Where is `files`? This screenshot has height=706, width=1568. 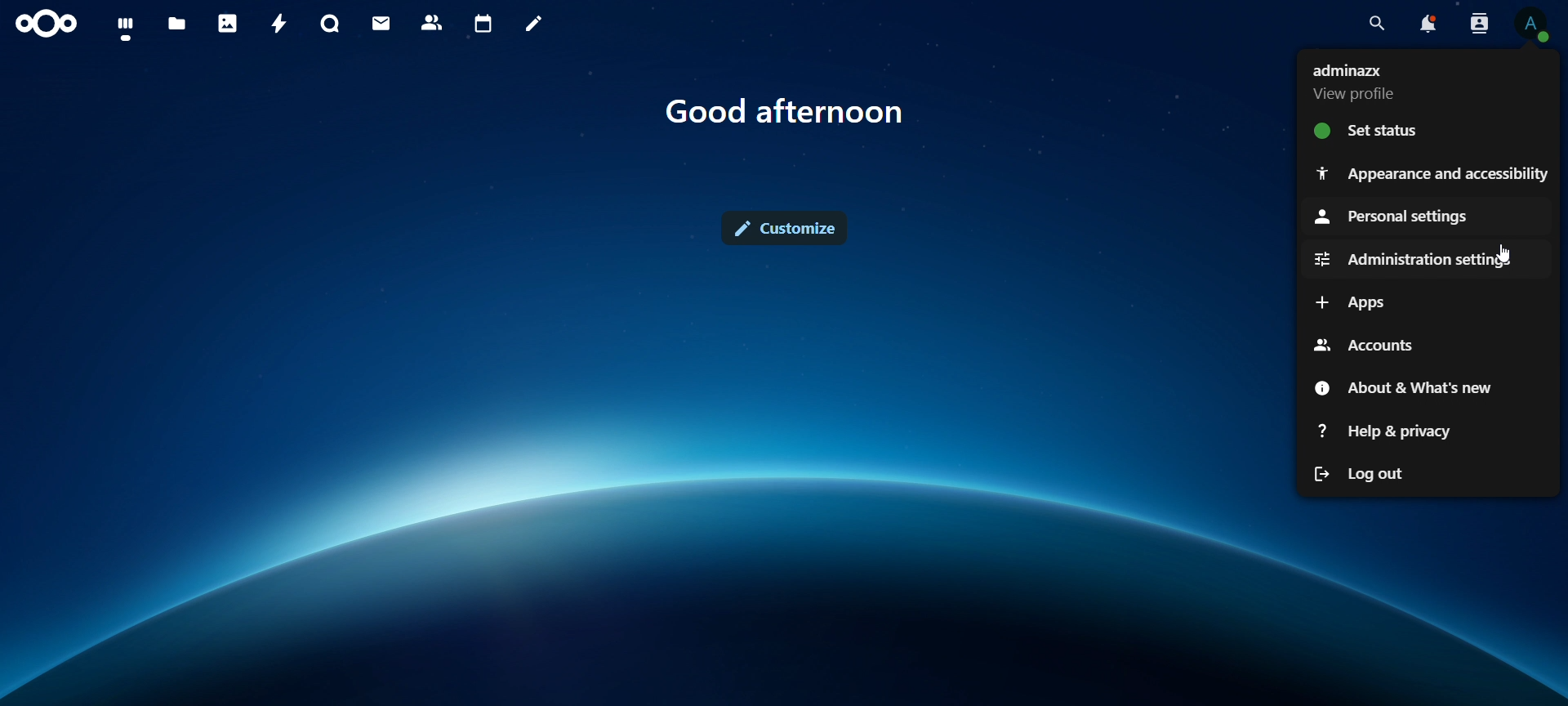 files is located at coordinates (178, 22).